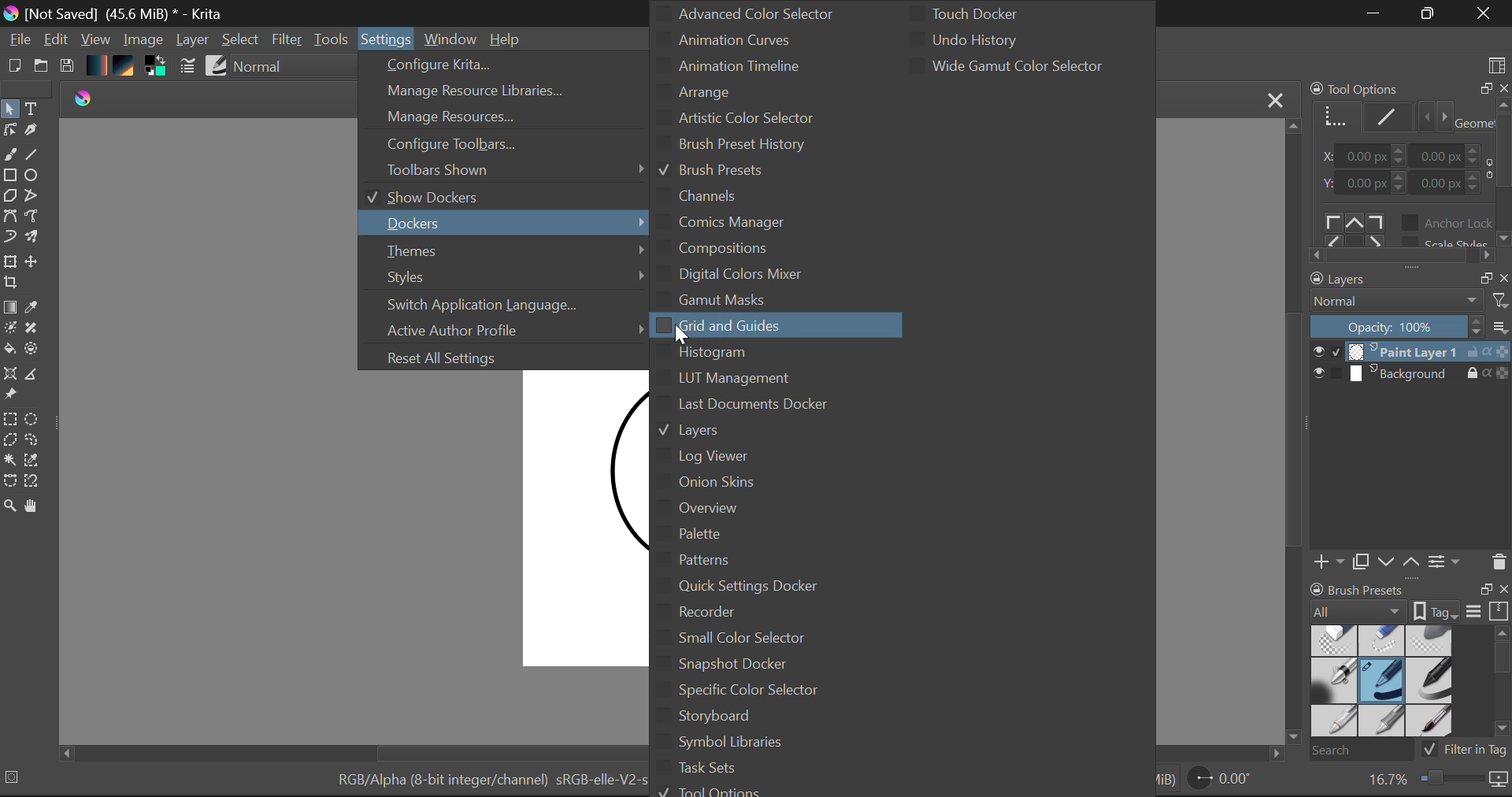 The image size is (1512, 797). Describe the element at coordinates (9, 480) in the screenshot. I see `Bezier Curve Selection` at that location.